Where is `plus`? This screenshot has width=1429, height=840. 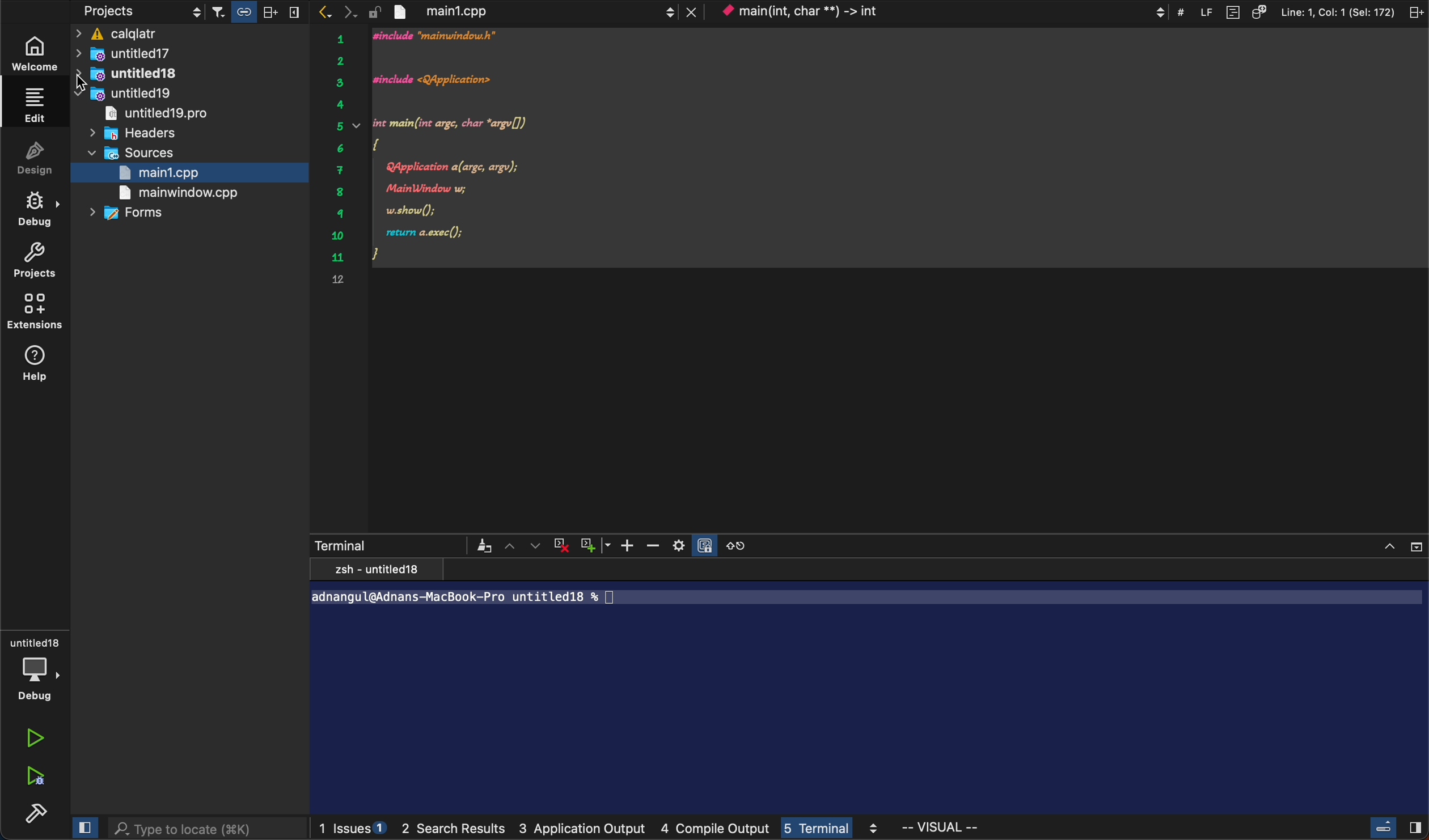 plus is located at coordinates (594, 546).